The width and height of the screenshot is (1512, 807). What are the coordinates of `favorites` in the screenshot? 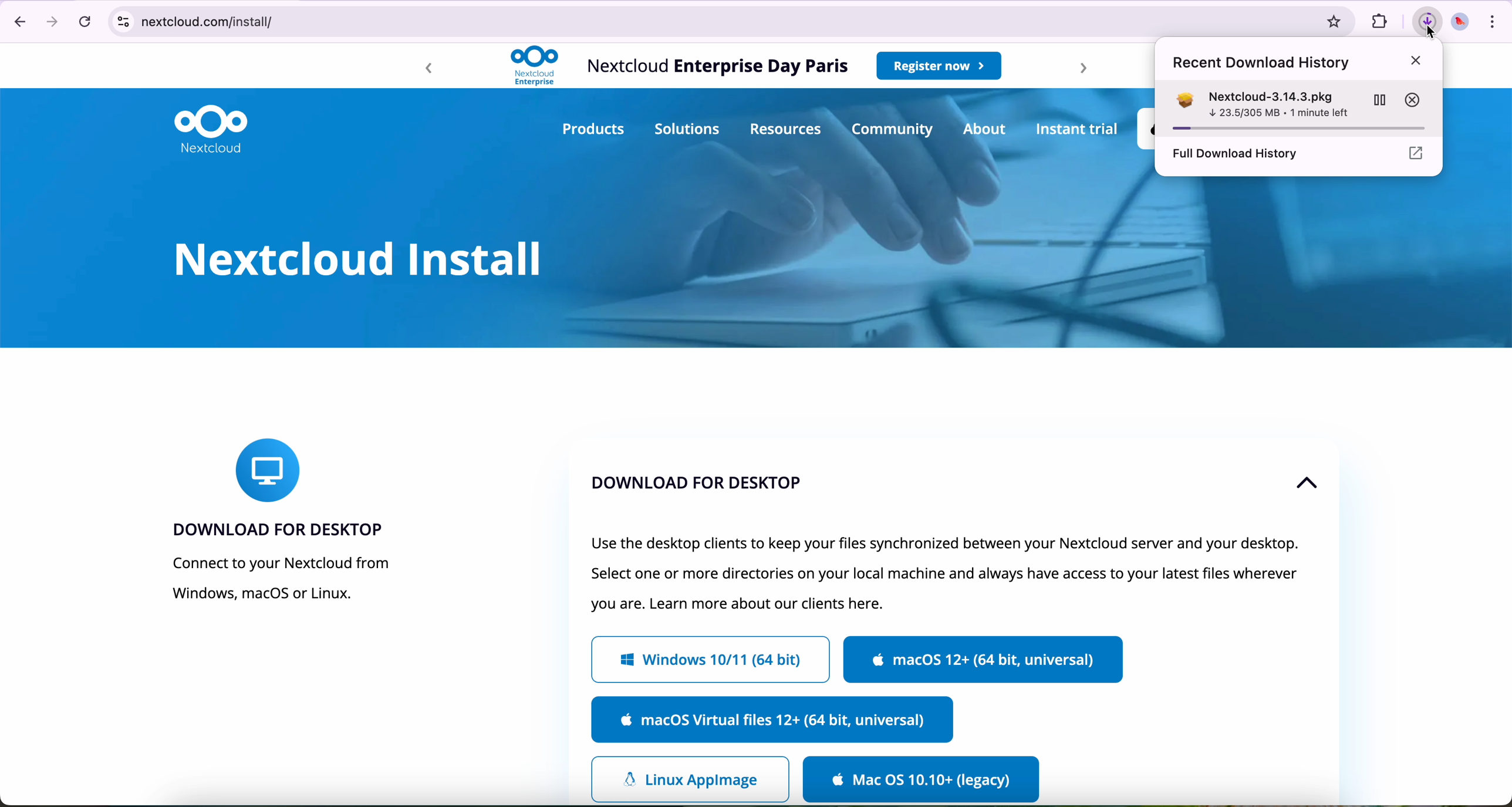 It's located at (1386, 22).